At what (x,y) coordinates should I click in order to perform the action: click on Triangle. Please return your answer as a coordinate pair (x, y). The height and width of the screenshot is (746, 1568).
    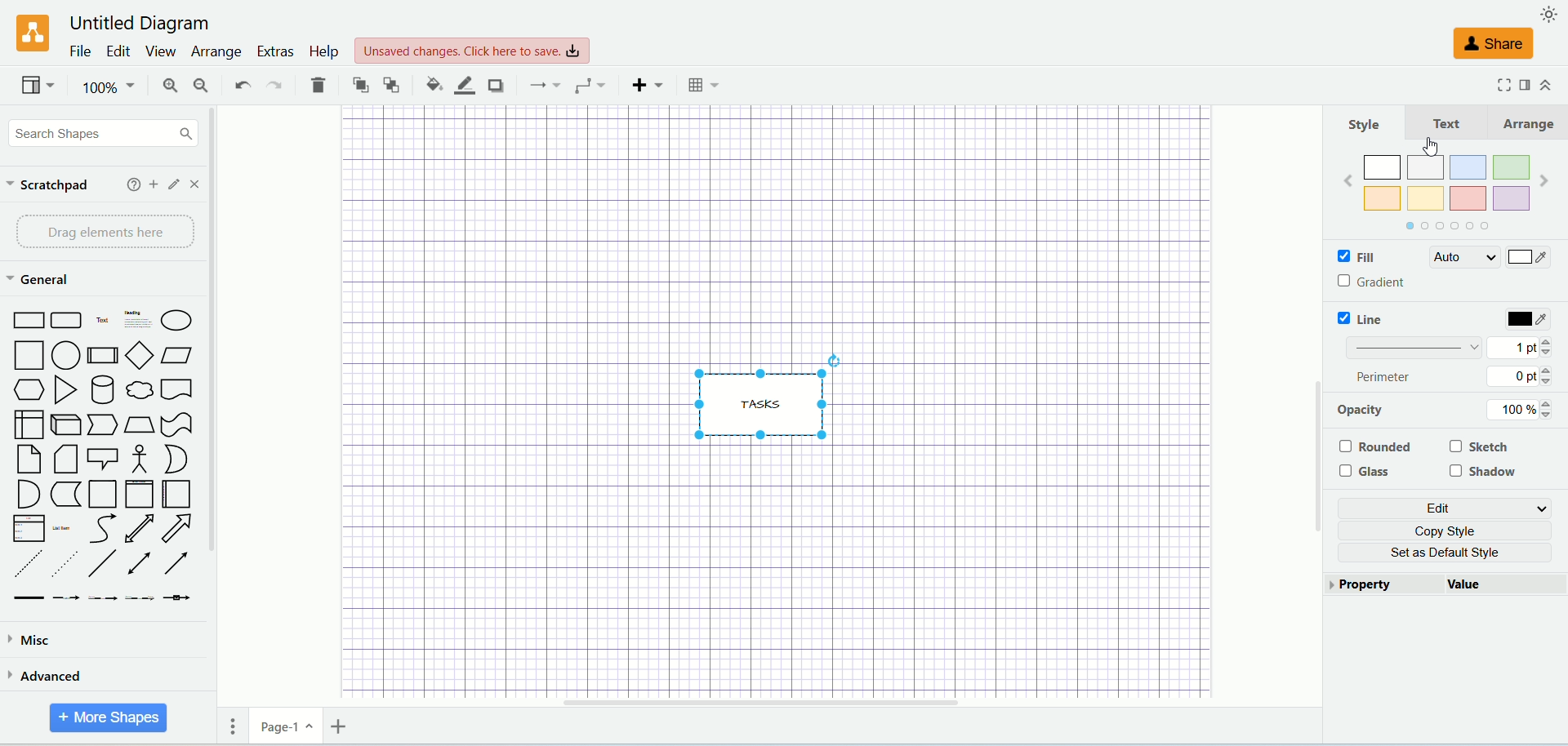
    Looking at the image, I should click on (65, 390).